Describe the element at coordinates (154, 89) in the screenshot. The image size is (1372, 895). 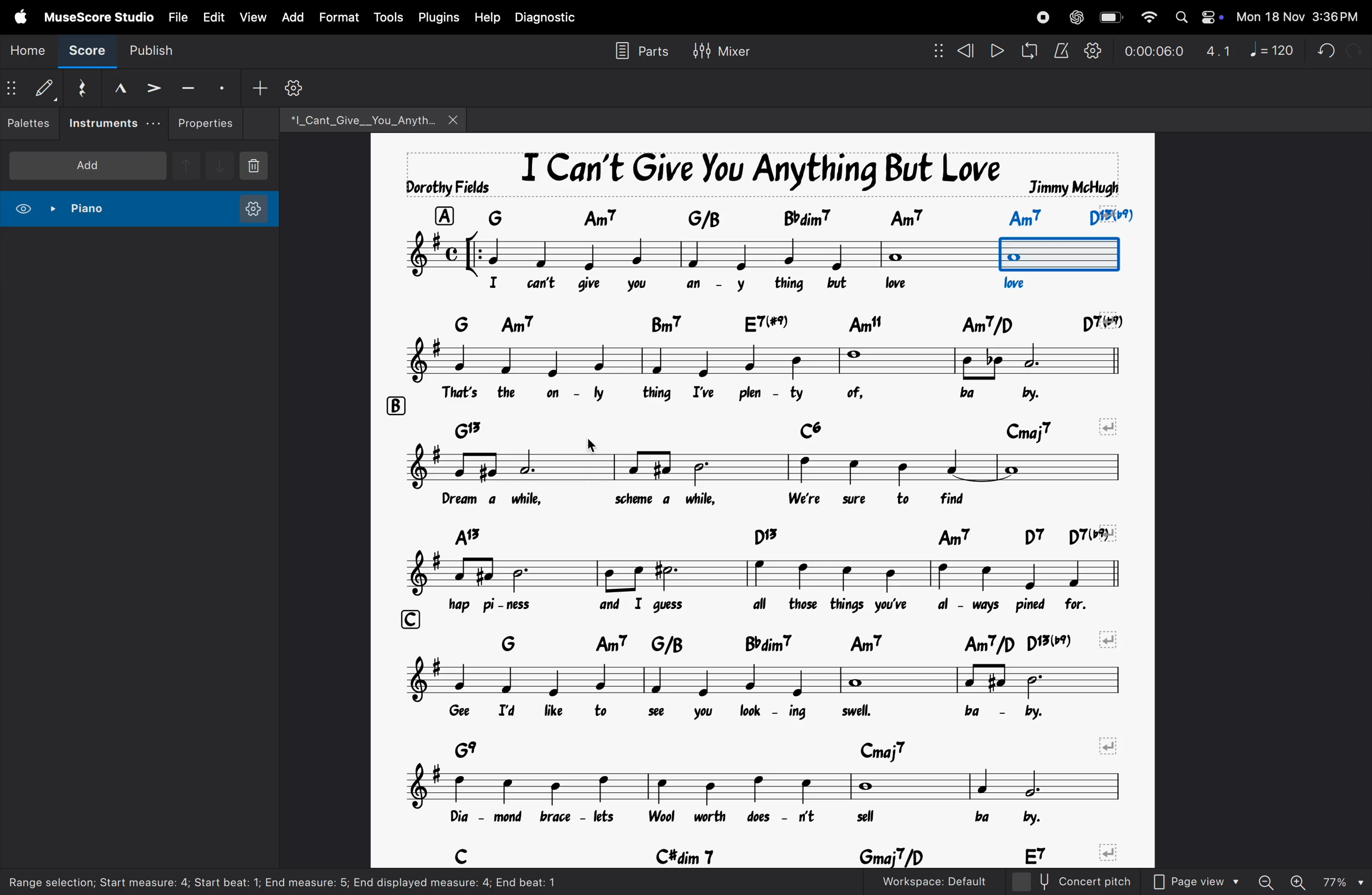
I see `accent` at that location.